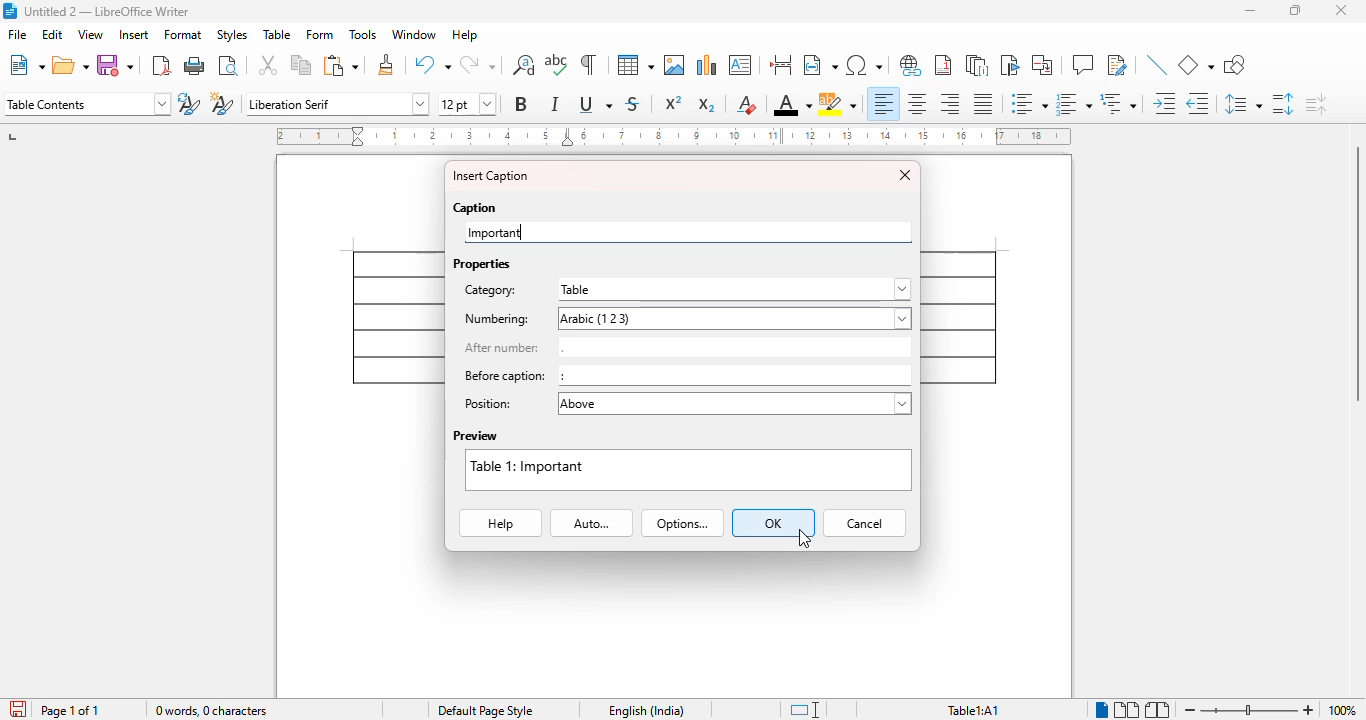  What do you see at coordinates (647, 711) in the screenshot?
I see `text language` at bounding box center [647, 711].